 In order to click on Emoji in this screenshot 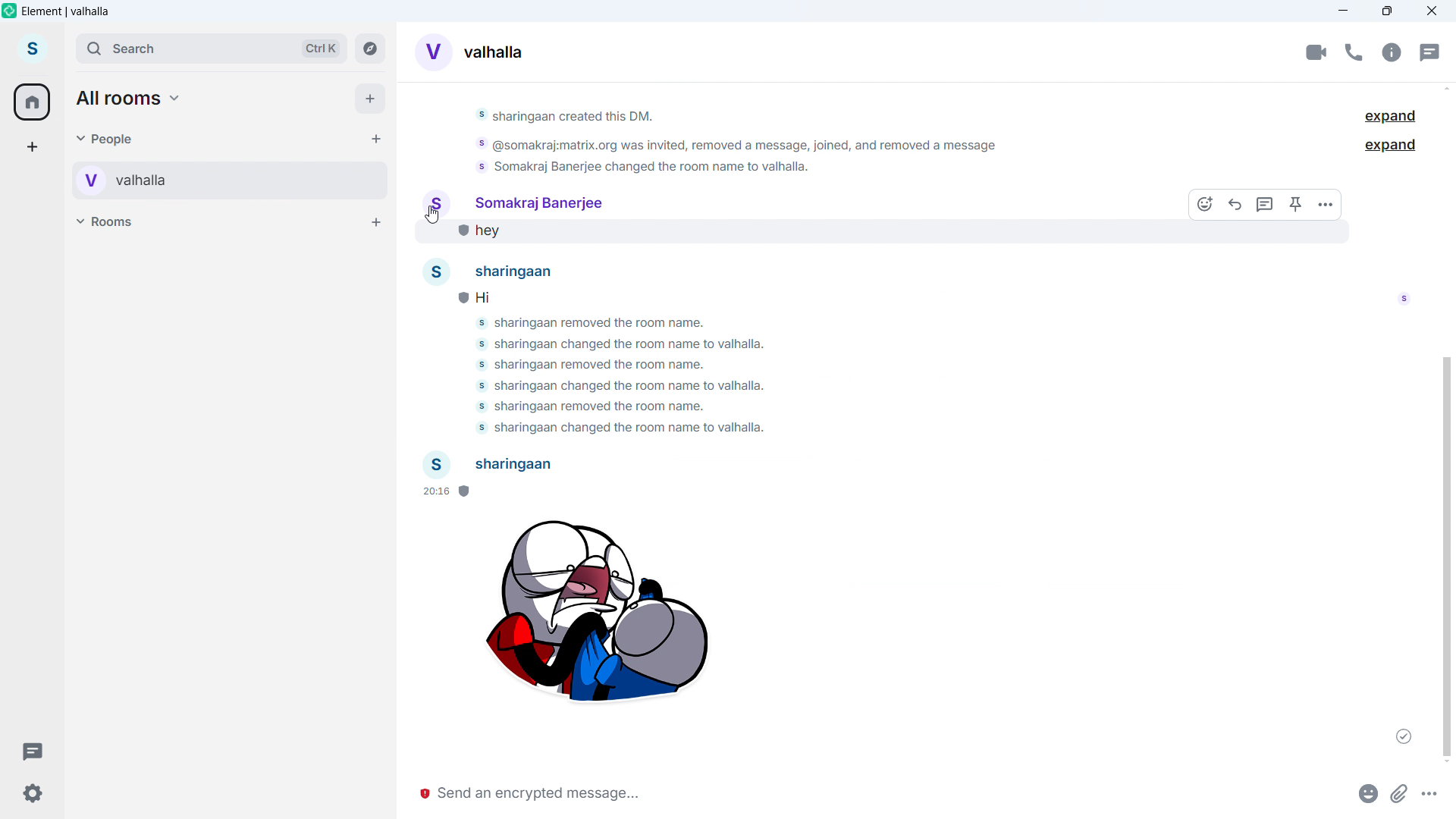, I will do `click(1365, 794)`.